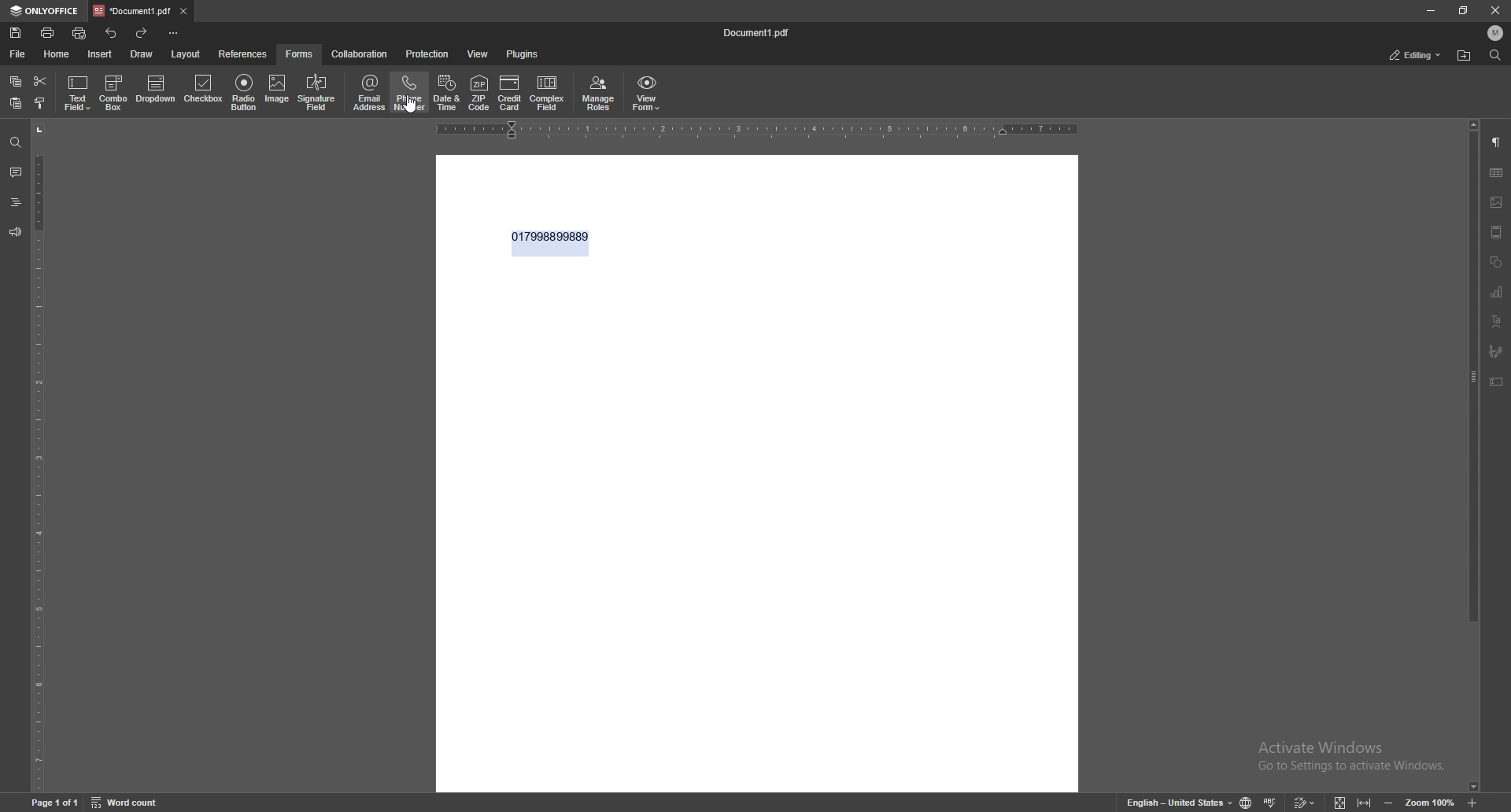 The image size is (1511, 812). Describe the element at coordinates (547, 93) in the screenshot. I see `complex` at that location.